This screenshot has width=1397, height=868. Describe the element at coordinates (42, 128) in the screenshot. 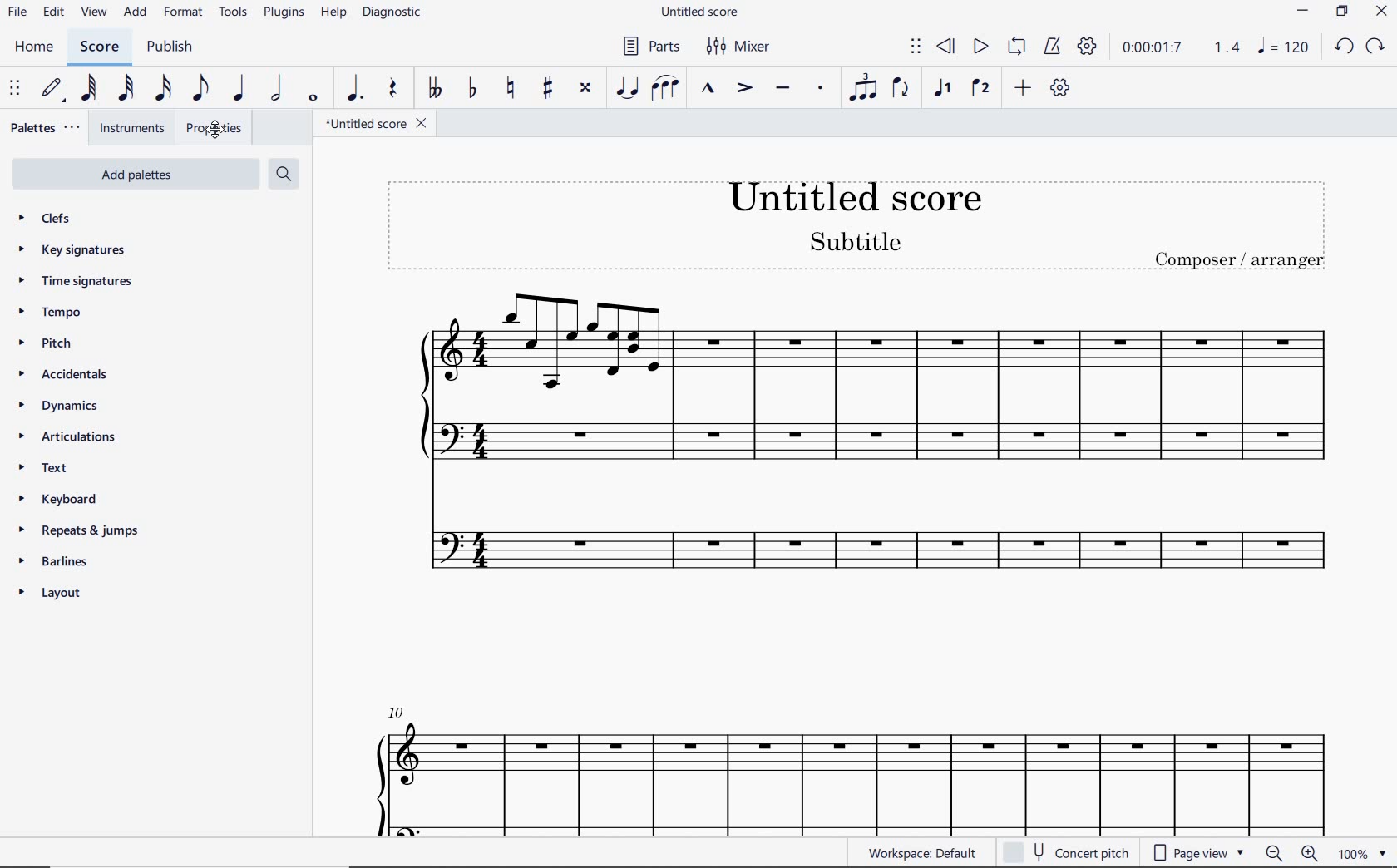

I see `PALETTES` at that location.